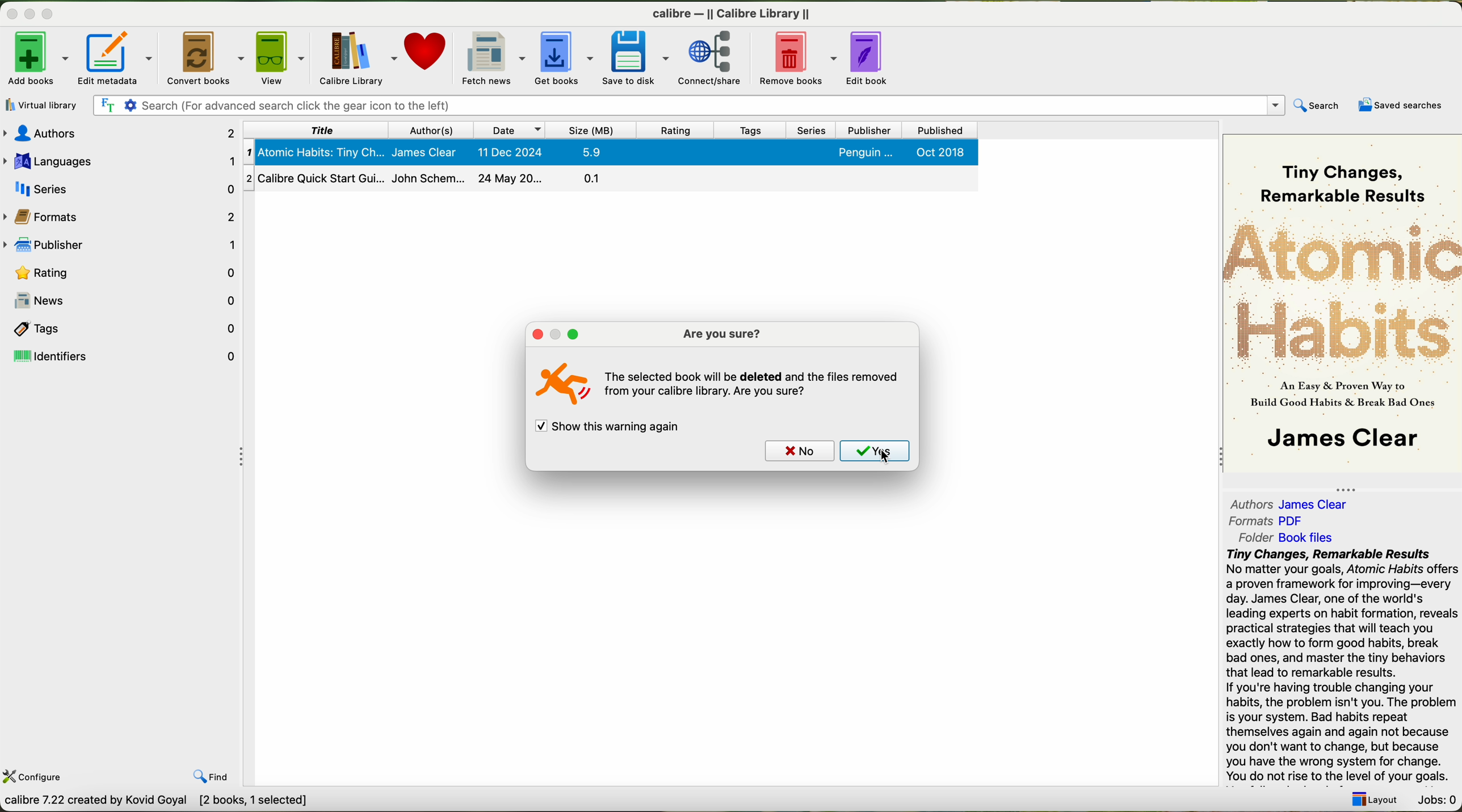  I want to click on saved searches, so click(1401, 104).